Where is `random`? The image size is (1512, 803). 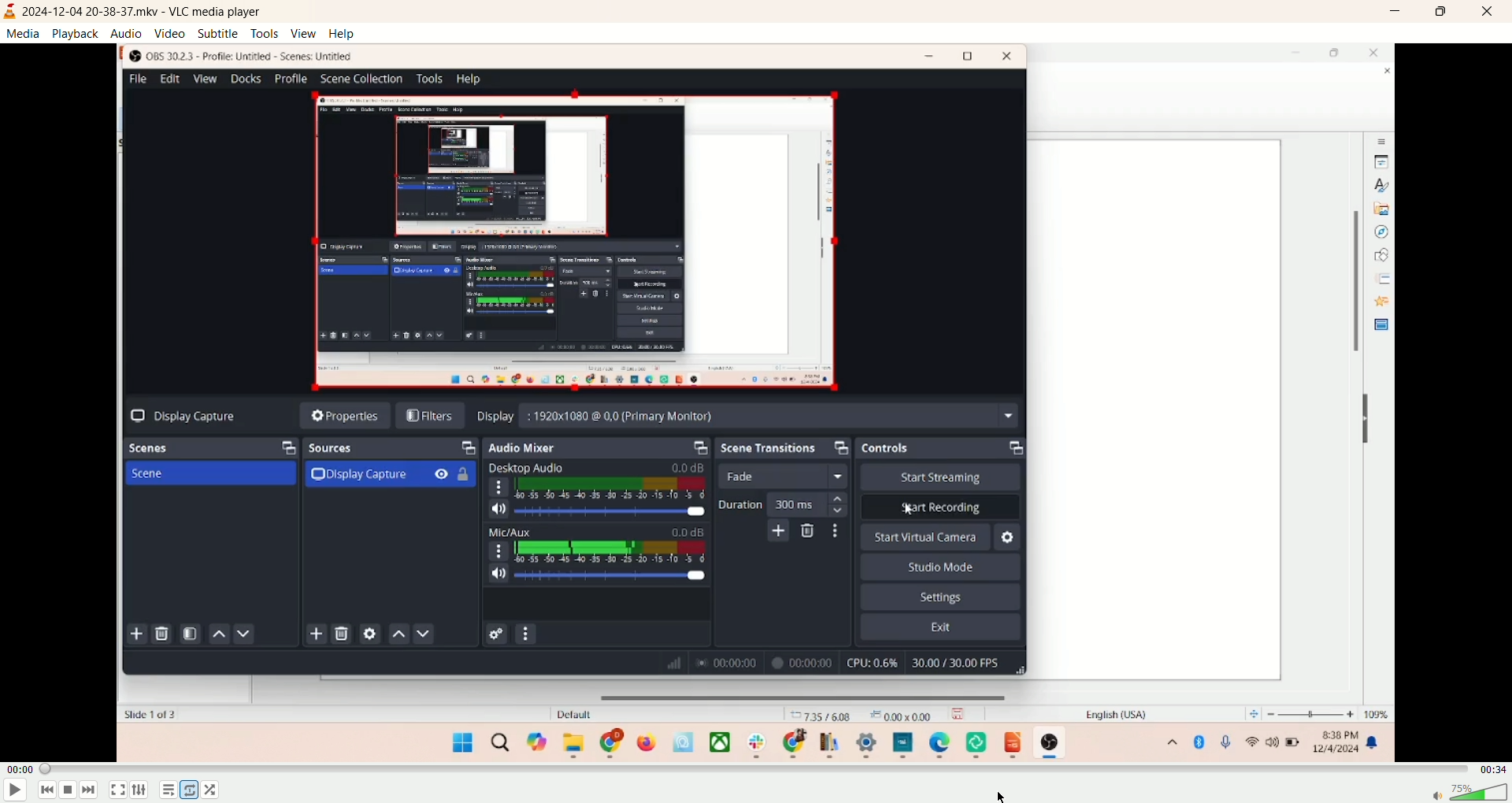
random is located at coordinates (210, 789).